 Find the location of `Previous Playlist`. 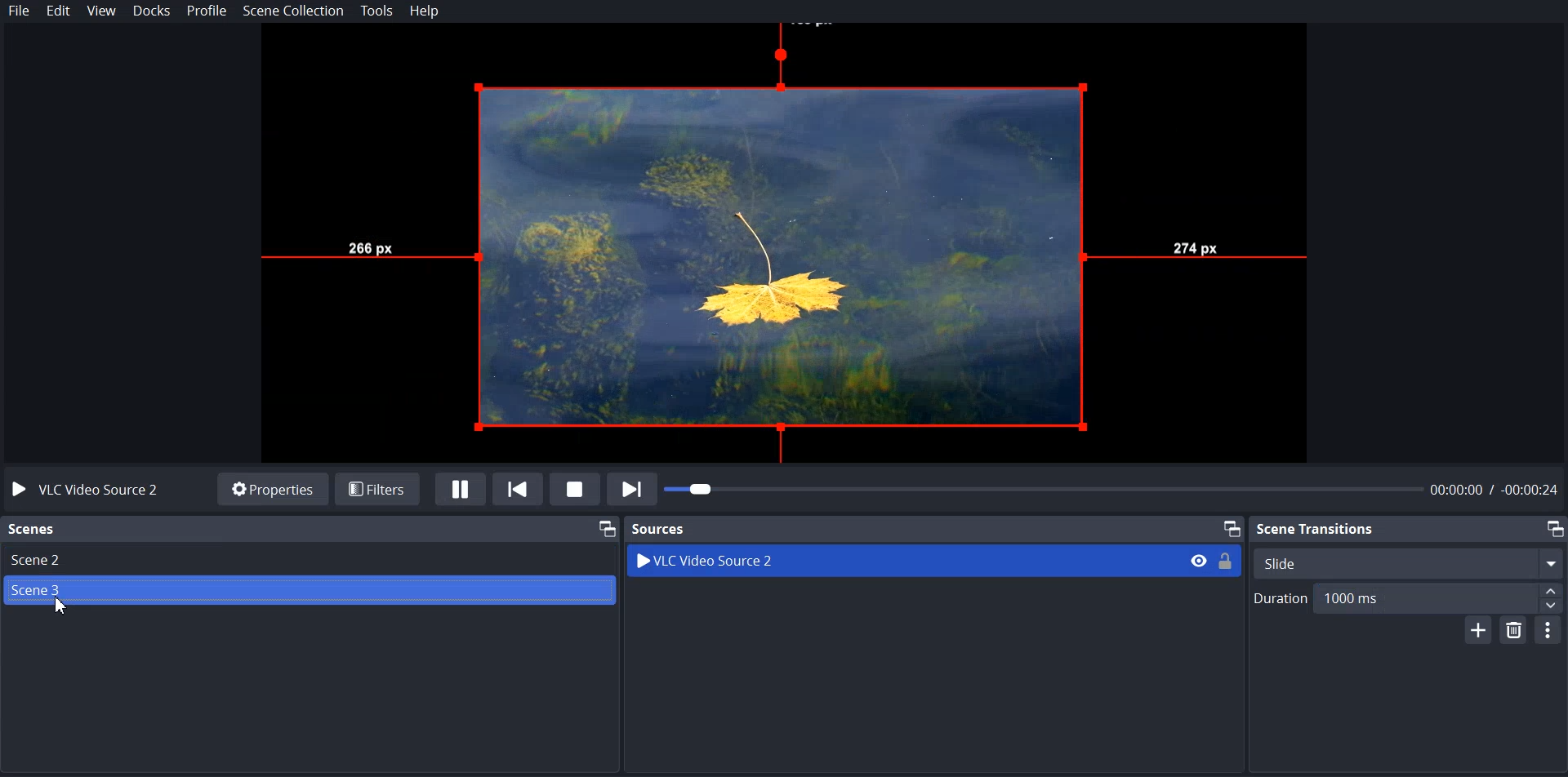

Previous Playlist is located at coordinates (521, 489).